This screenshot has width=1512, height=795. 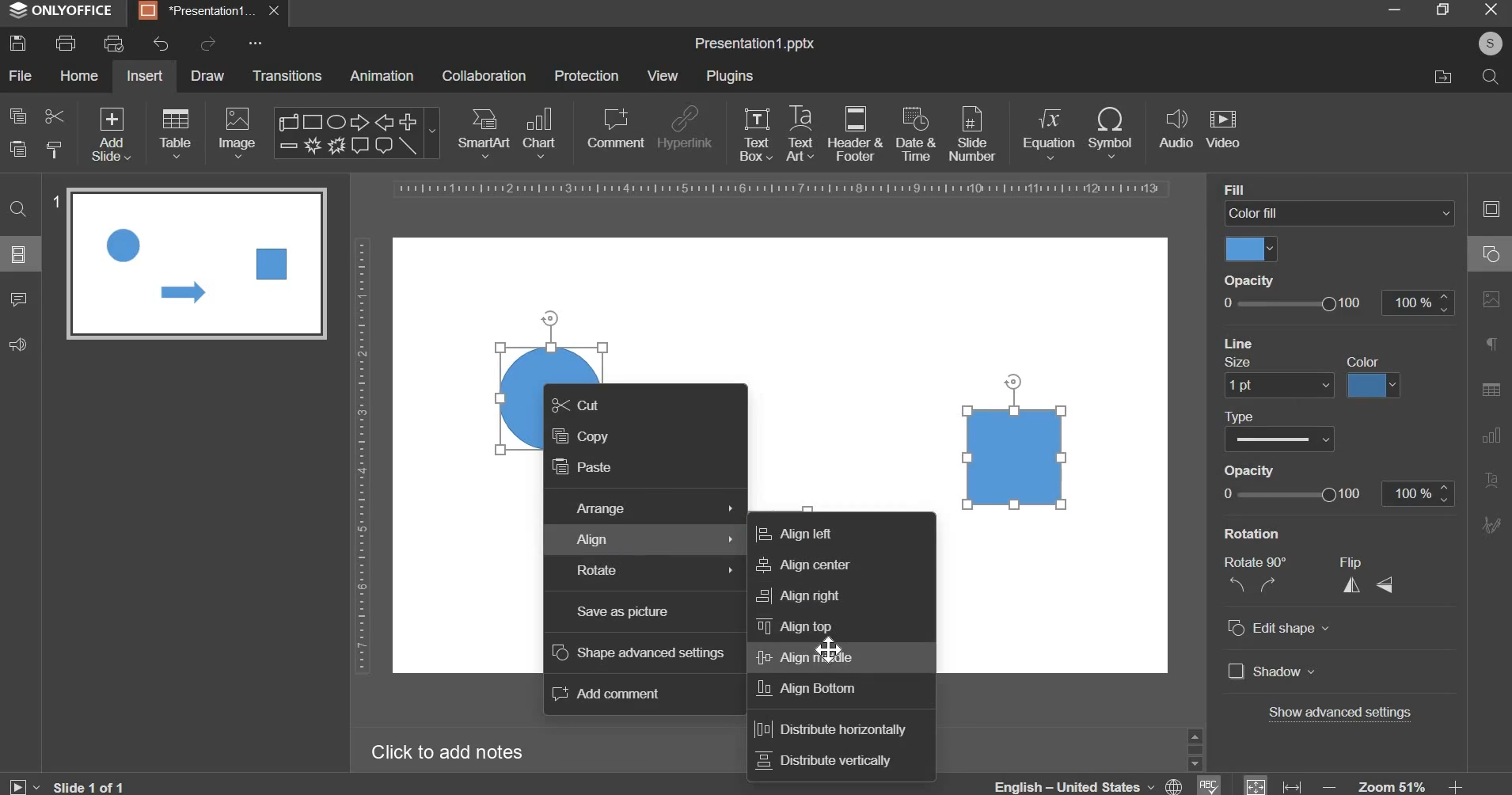 I want to click on paste, so click(x=583, y=470).